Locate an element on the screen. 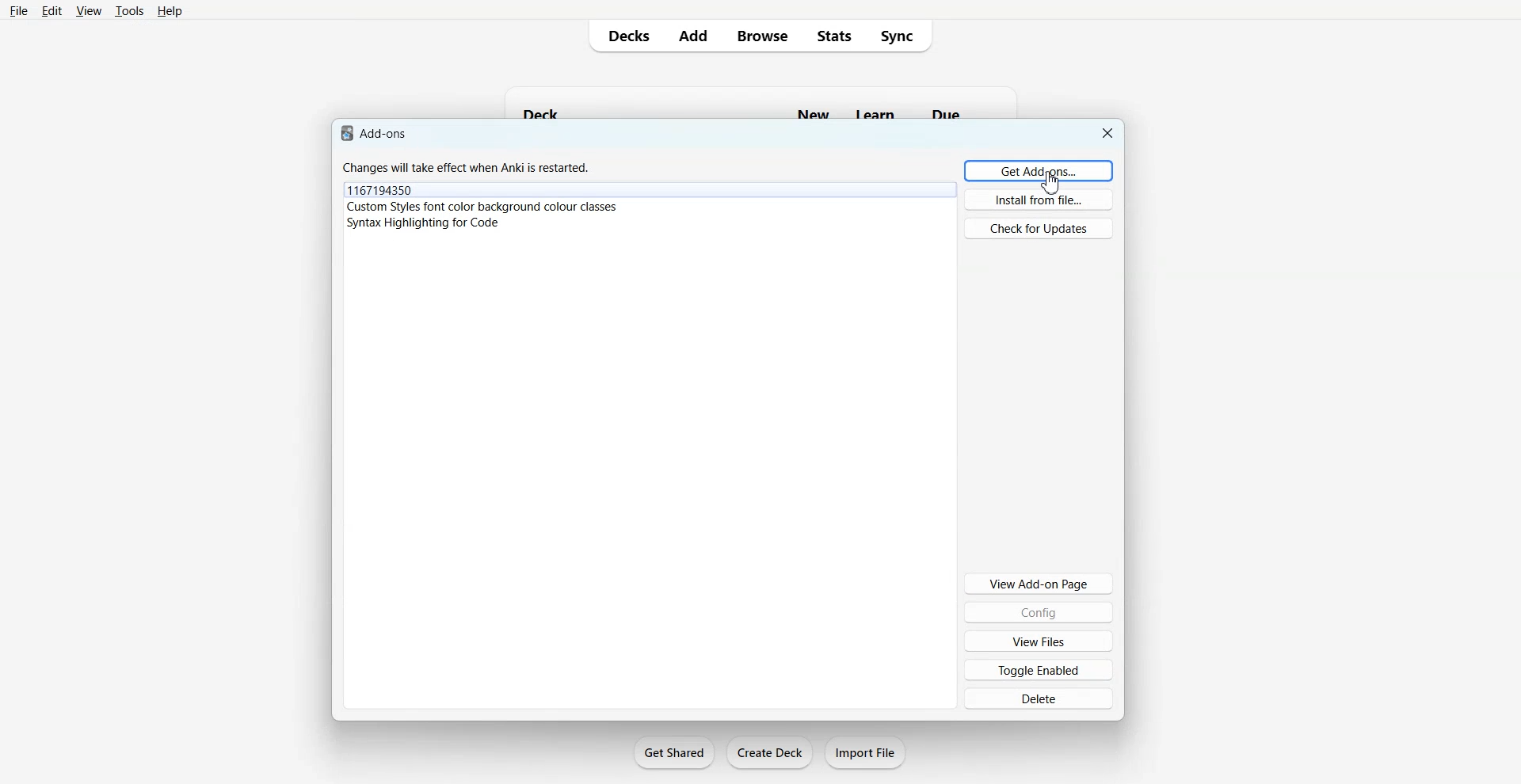 The height and width of the screenshot is (784, 1521). ‘Custom Styles font color background colour classes is located at coordinates (486, 206).